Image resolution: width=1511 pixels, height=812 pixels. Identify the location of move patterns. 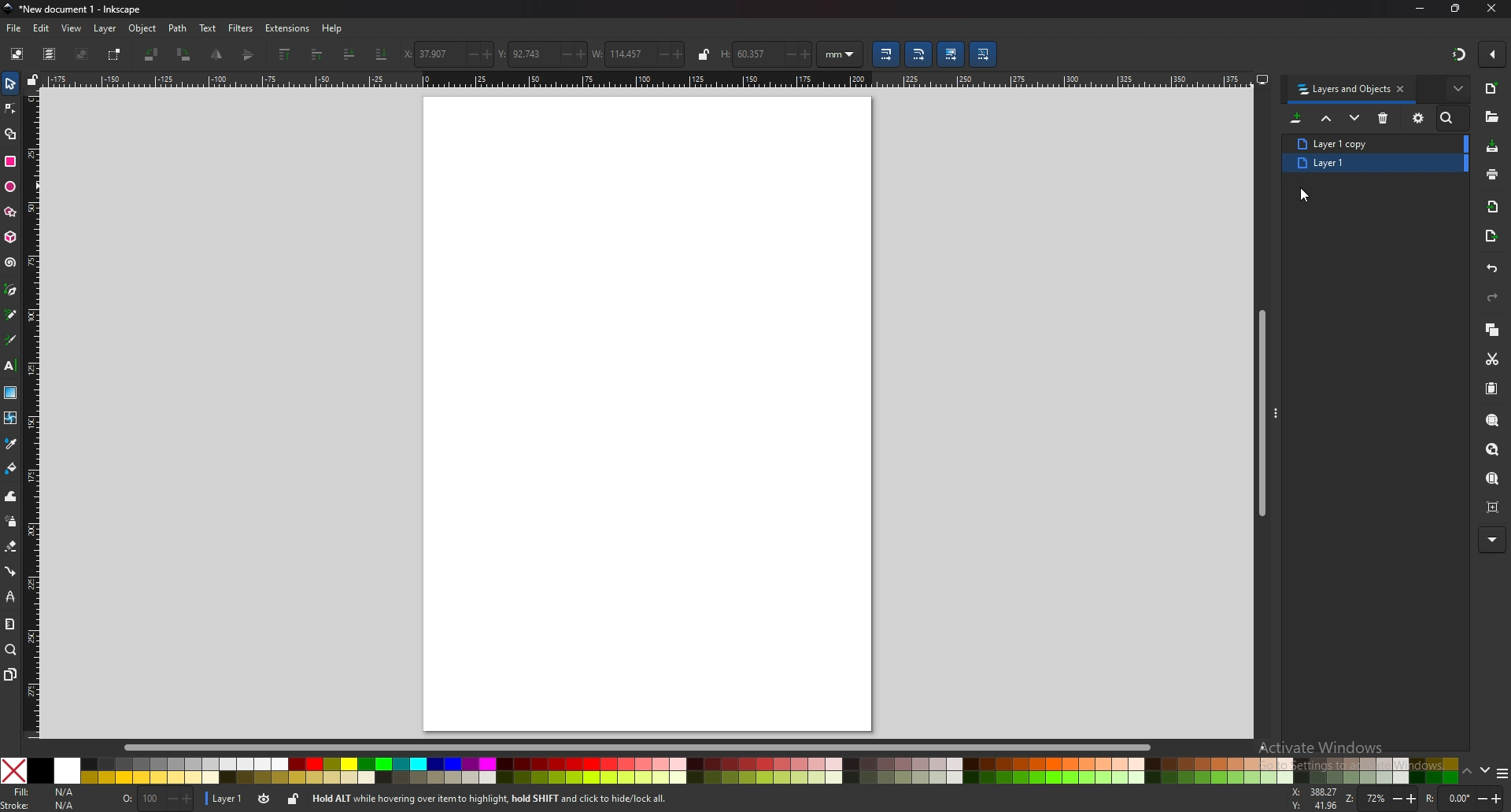
(984, 54).